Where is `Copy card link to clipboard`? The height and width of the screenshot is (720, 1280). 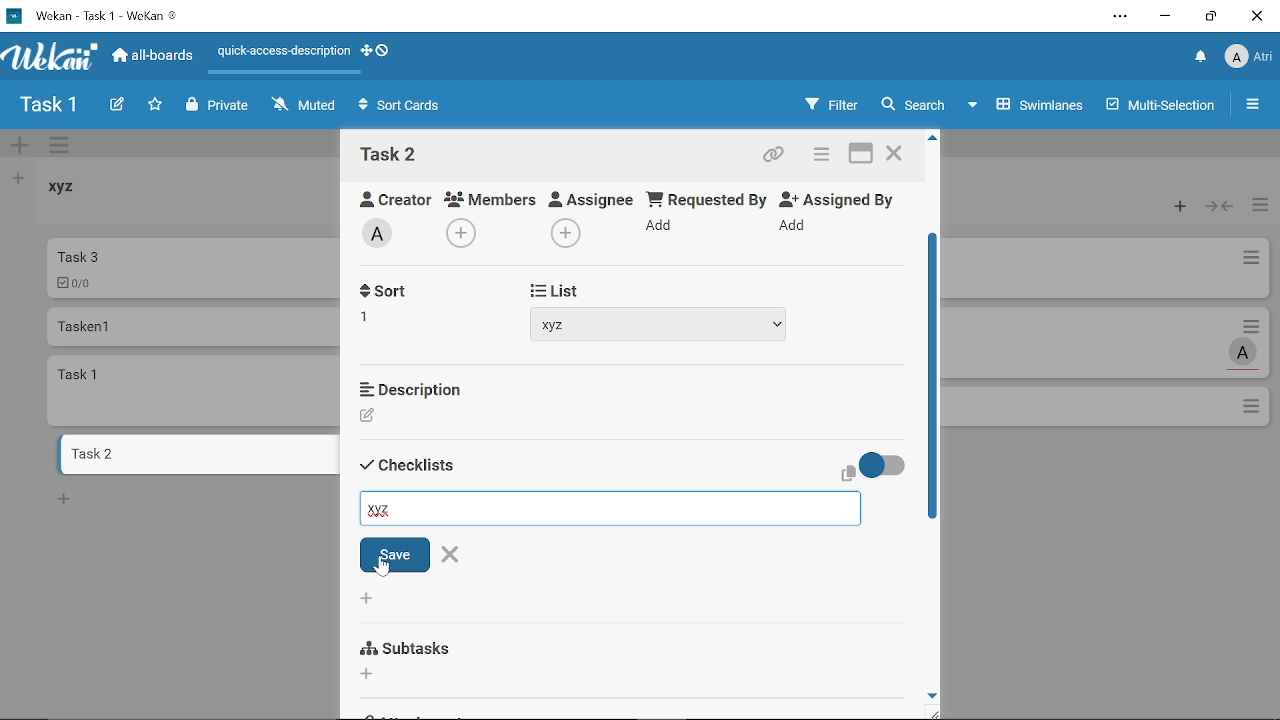 Copy card link to clipboard is located at coordinates (776, 157).